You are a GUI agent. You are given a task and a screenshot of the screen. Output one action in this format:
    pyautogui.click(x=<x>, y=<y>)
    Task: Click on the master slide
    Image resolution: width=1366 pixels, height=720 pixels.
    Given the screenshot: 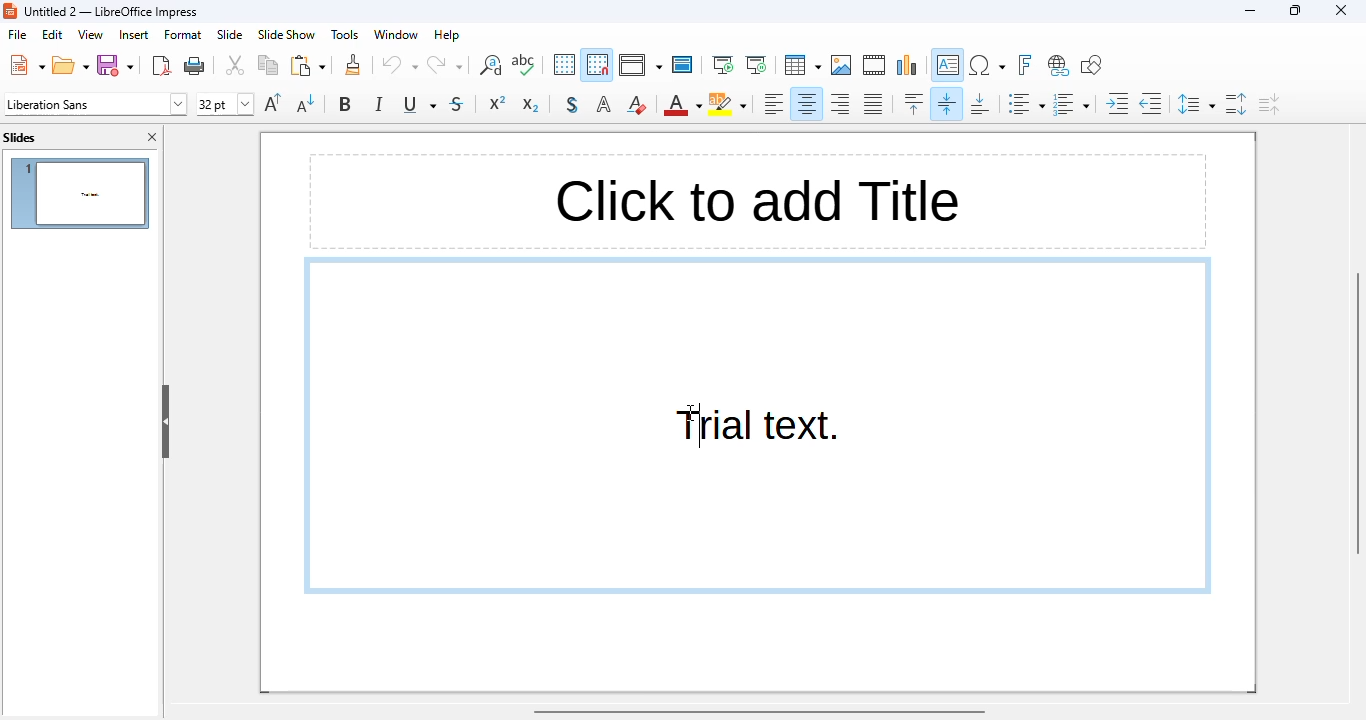 What is the action you would take?
    pyautogui.click(x=682, y=65)
    